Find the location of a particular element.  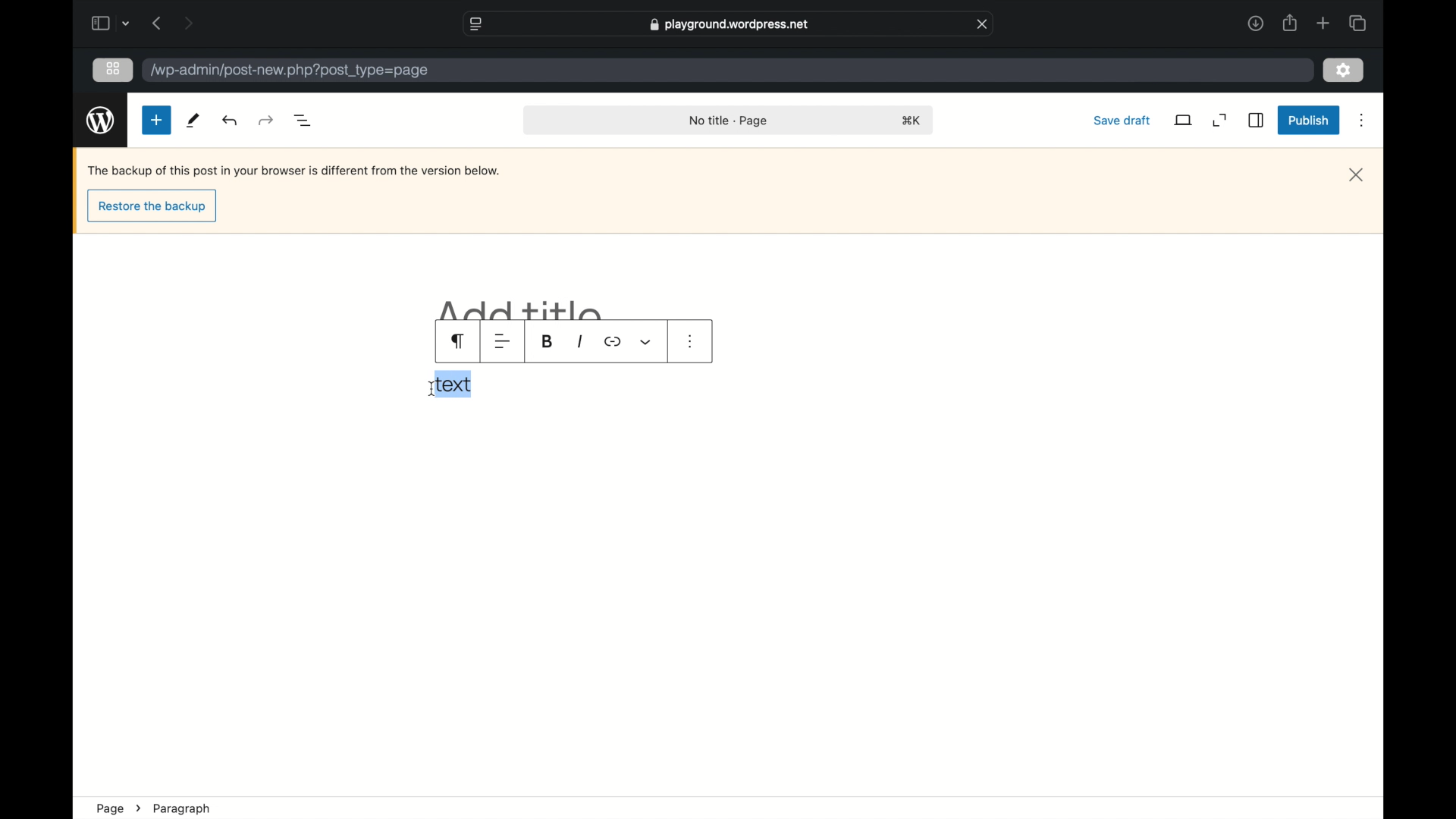

tools is located at coordinates (192, 121).